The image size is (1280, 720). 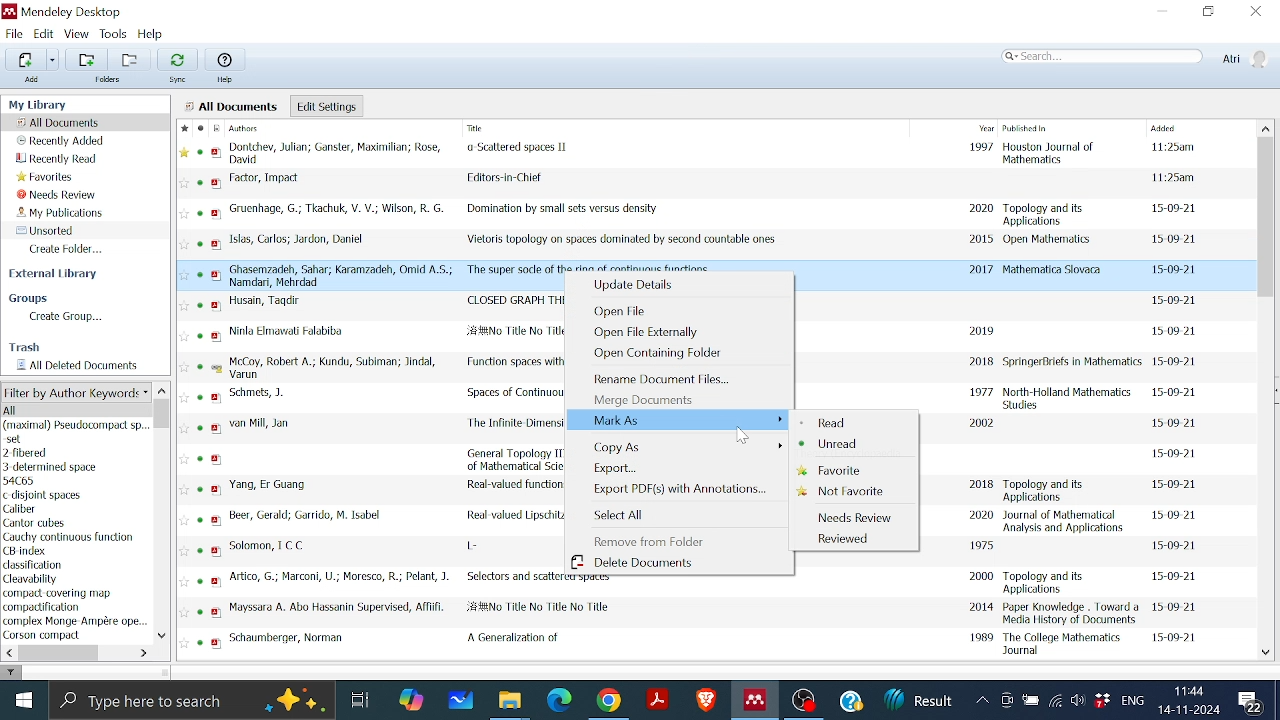 I want to click on Favorite, so click(x=857, y=468).